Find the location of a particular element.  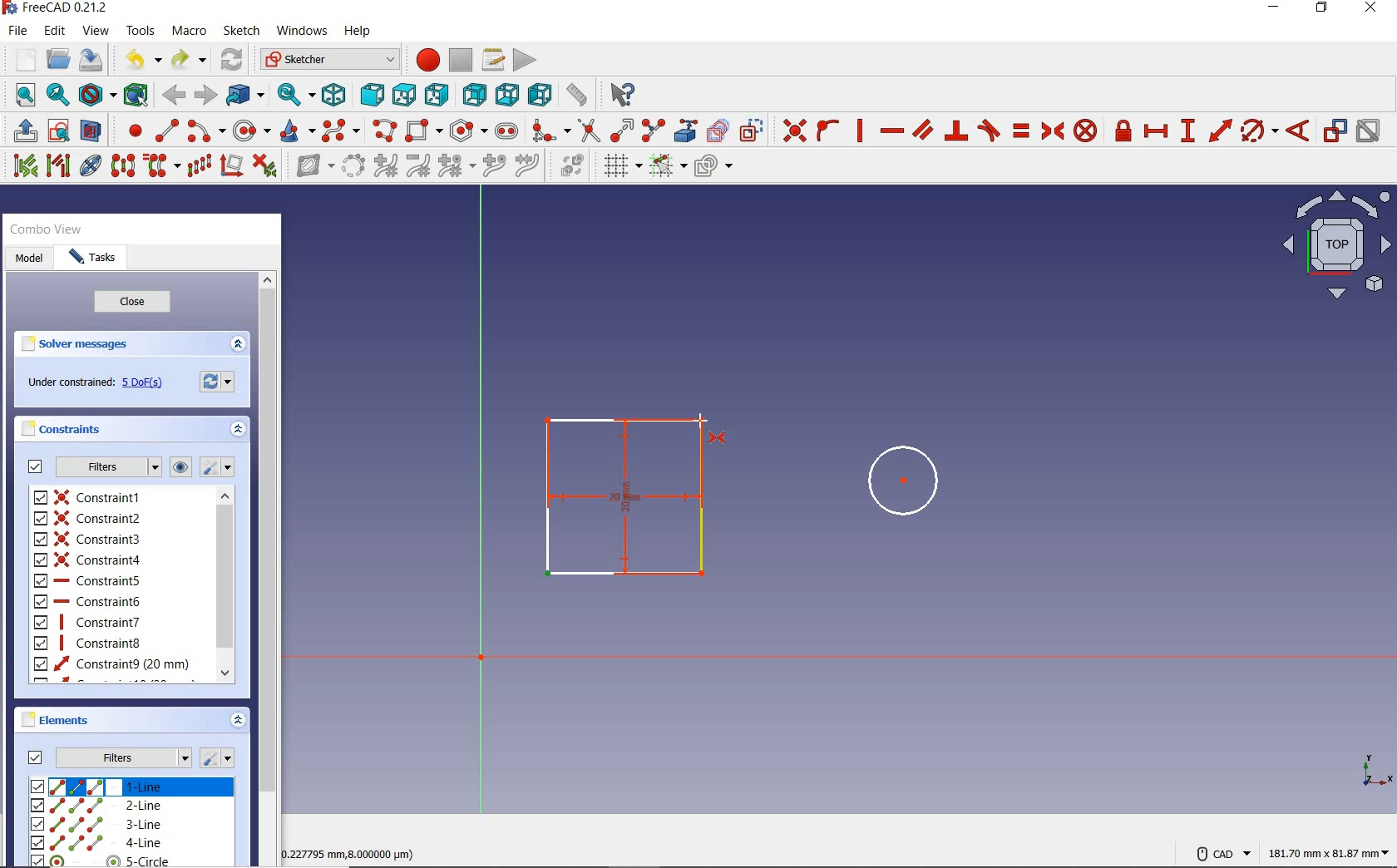

constraint8 is located at coordinates (90, 643).